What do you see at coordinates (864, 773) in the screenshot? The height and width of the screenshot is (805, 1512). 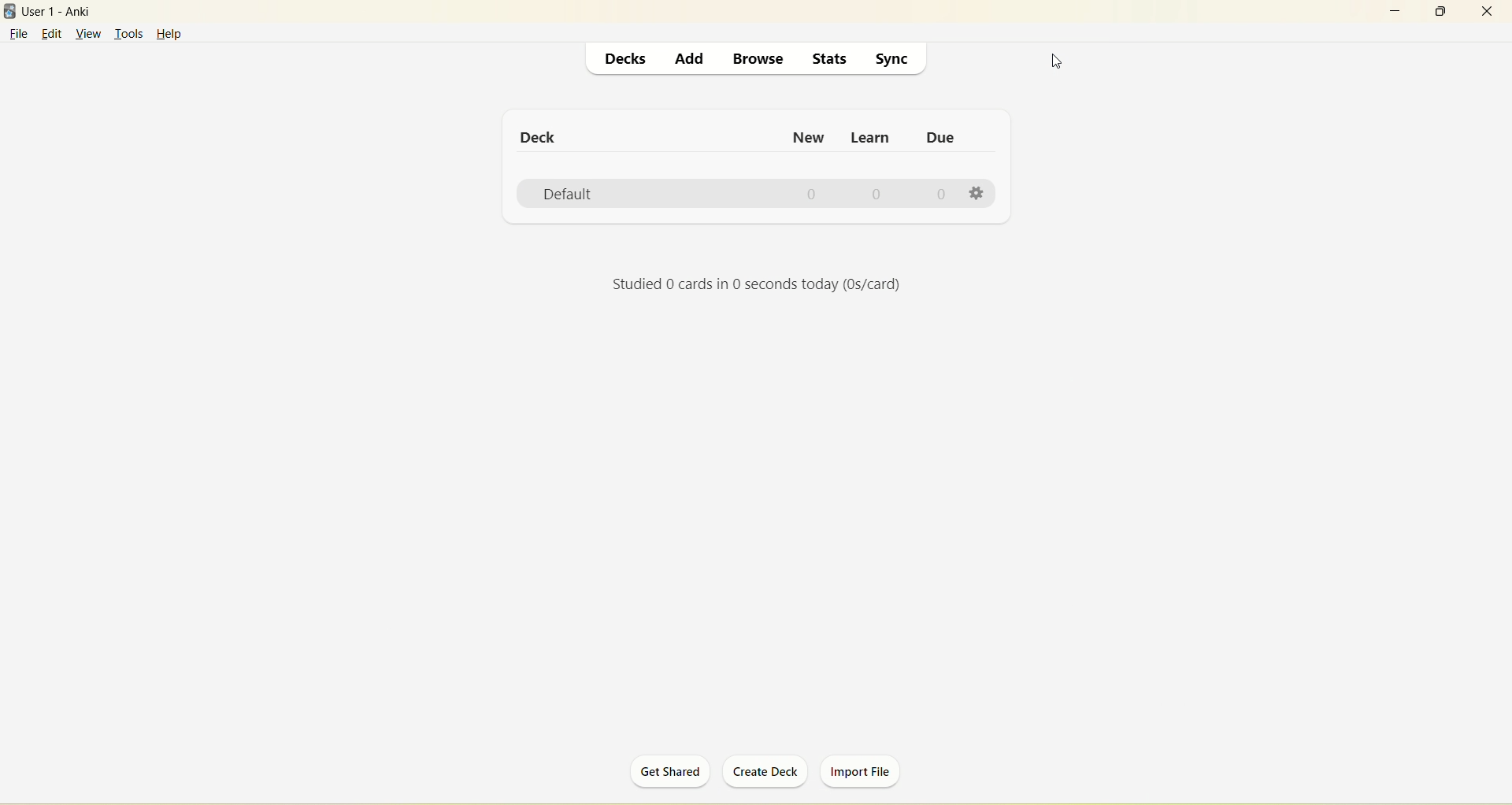 I see `import file` at bounding box center [864, 773].